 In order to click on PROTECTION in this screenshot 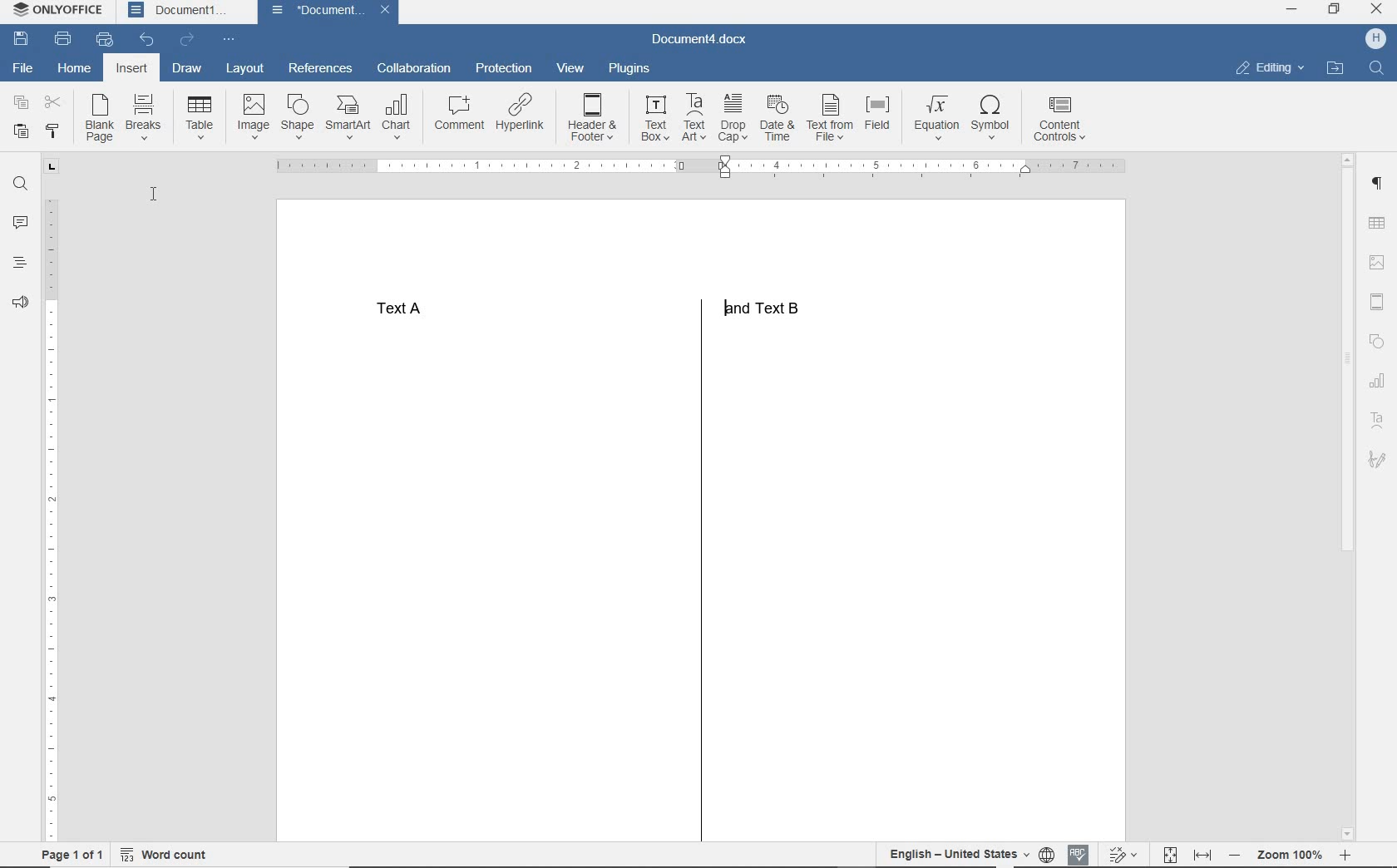, I will do `click(503, 68)`.